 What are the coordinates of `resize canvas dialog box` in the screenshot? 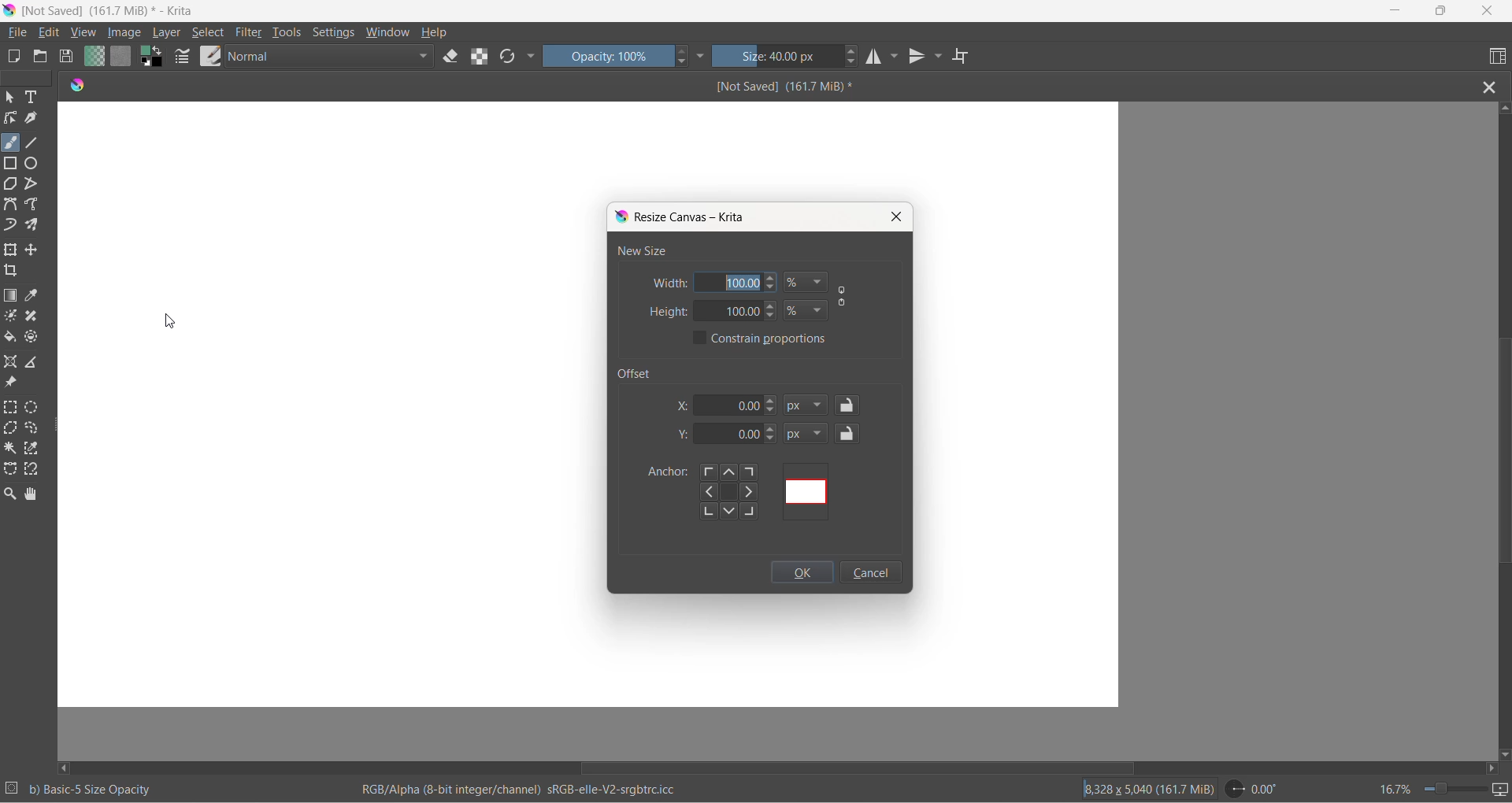 It's located at (684, 217).